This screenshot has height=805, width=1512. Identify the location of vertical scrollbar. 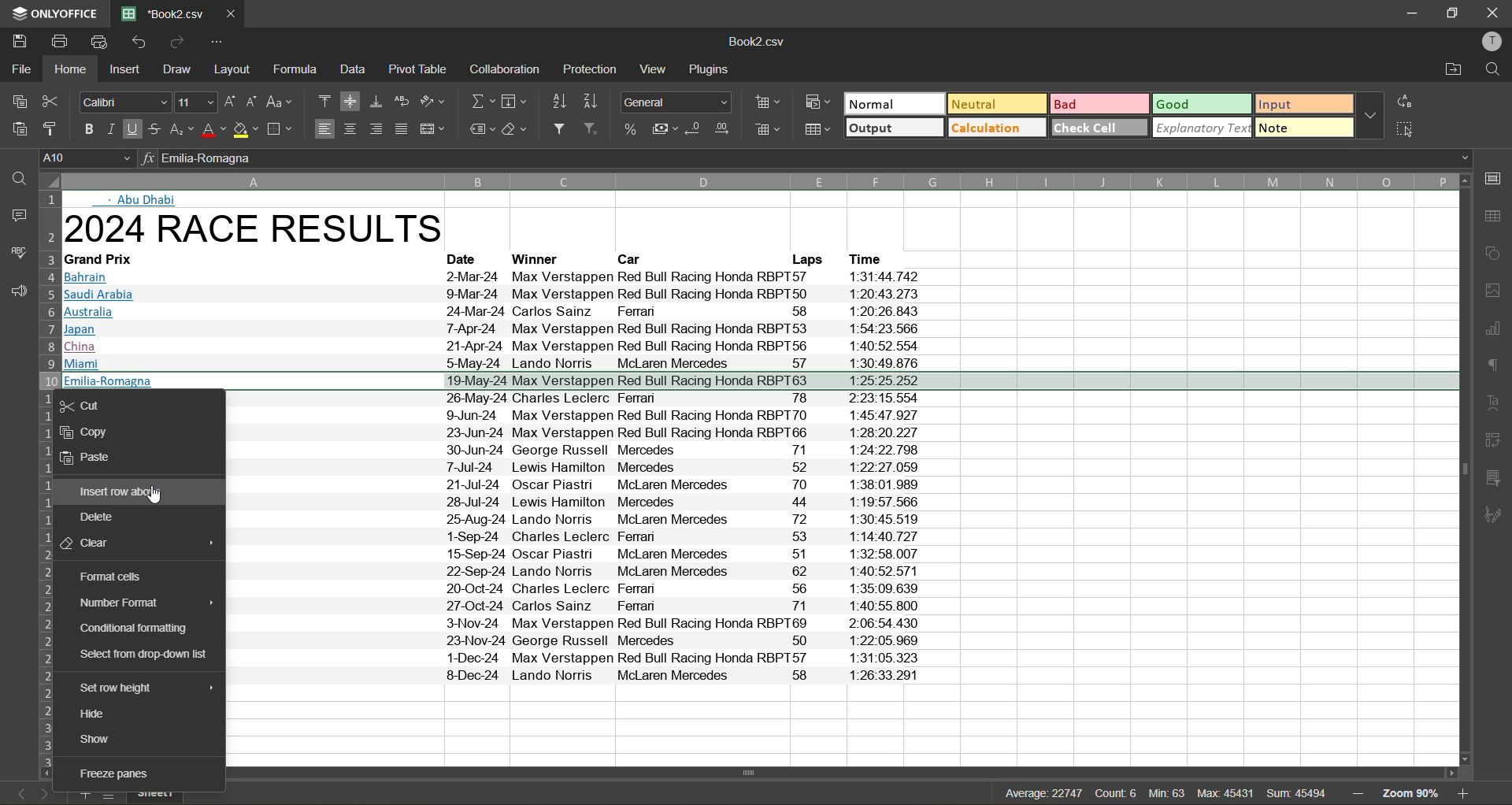
(1464, 471).